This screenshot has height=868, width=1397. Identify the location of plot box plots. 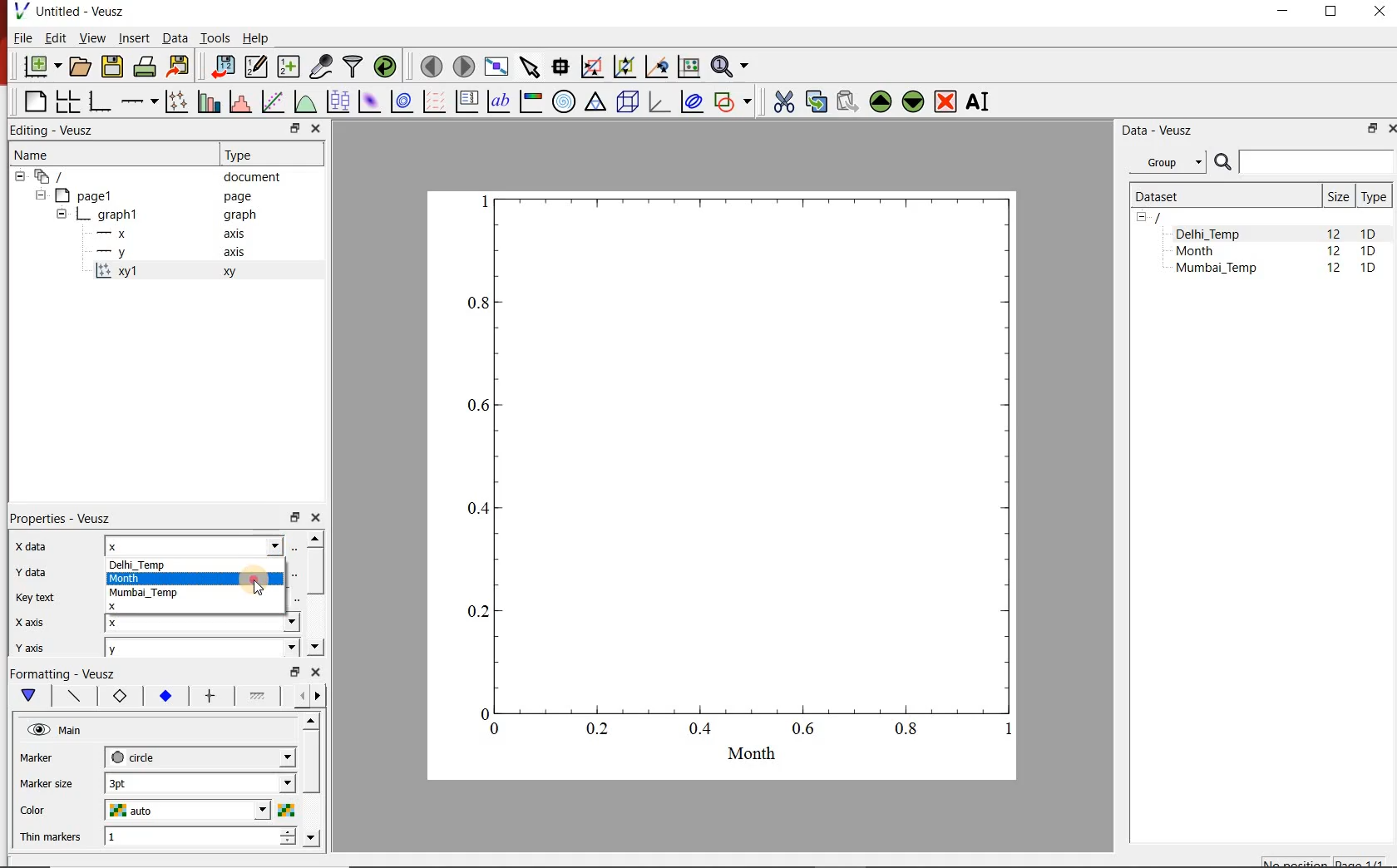
(338, 101).